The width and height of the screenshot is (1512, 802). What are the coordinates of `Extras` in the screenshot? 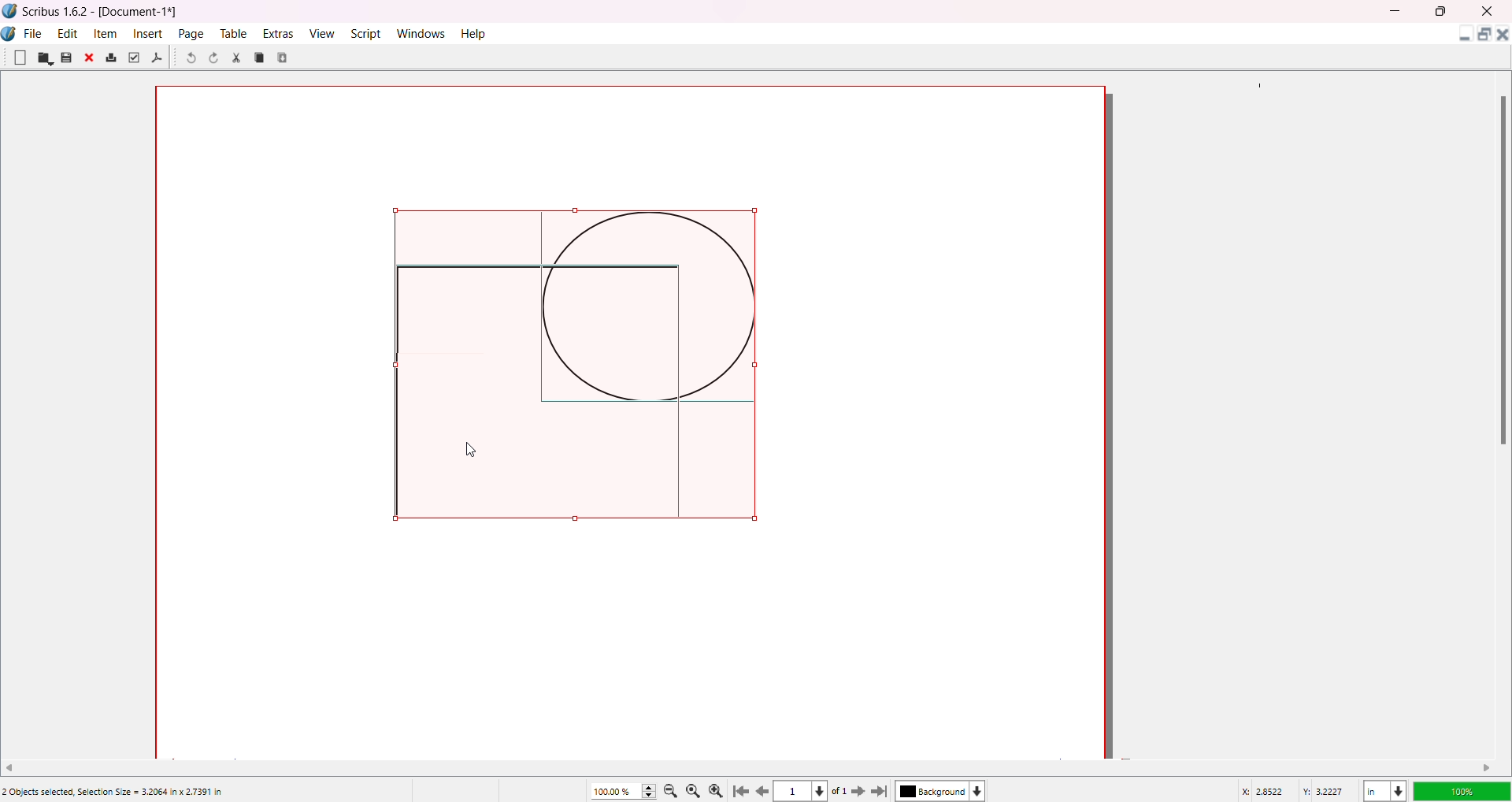 It's located at (279, 33).